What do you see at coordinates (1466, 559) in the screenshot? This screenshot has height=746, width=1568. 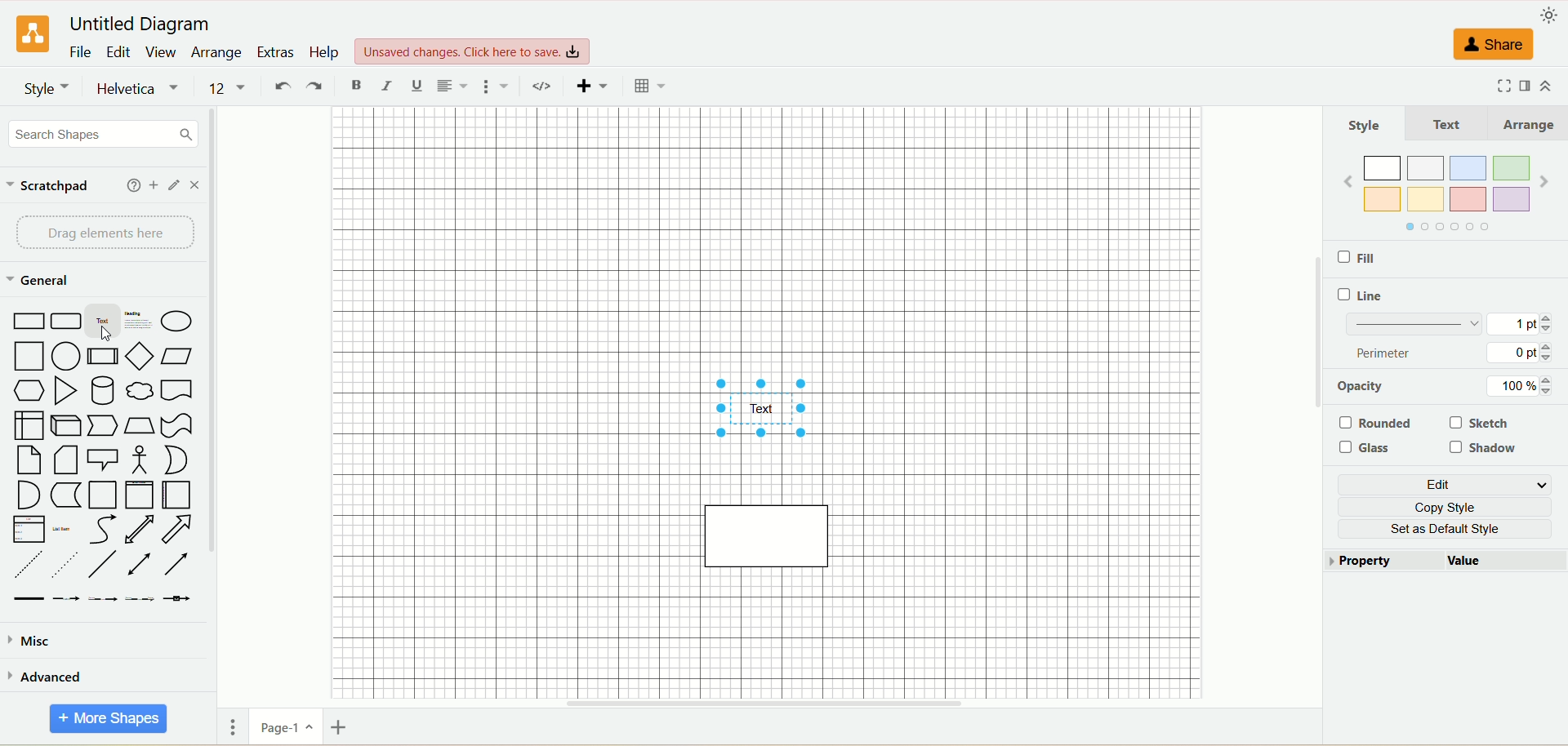 I see `value` at bounding box center [1466, 559].